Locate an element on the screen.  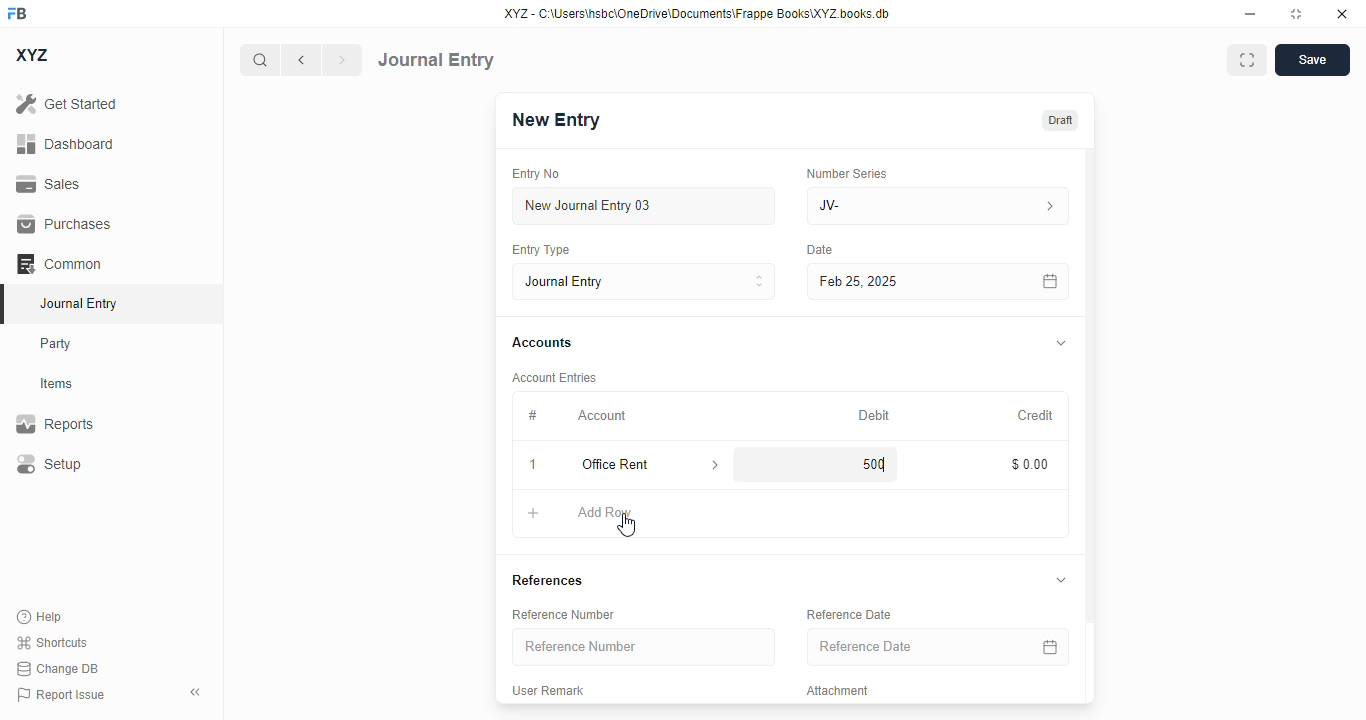
new entry is located at coordinates (554, 120).